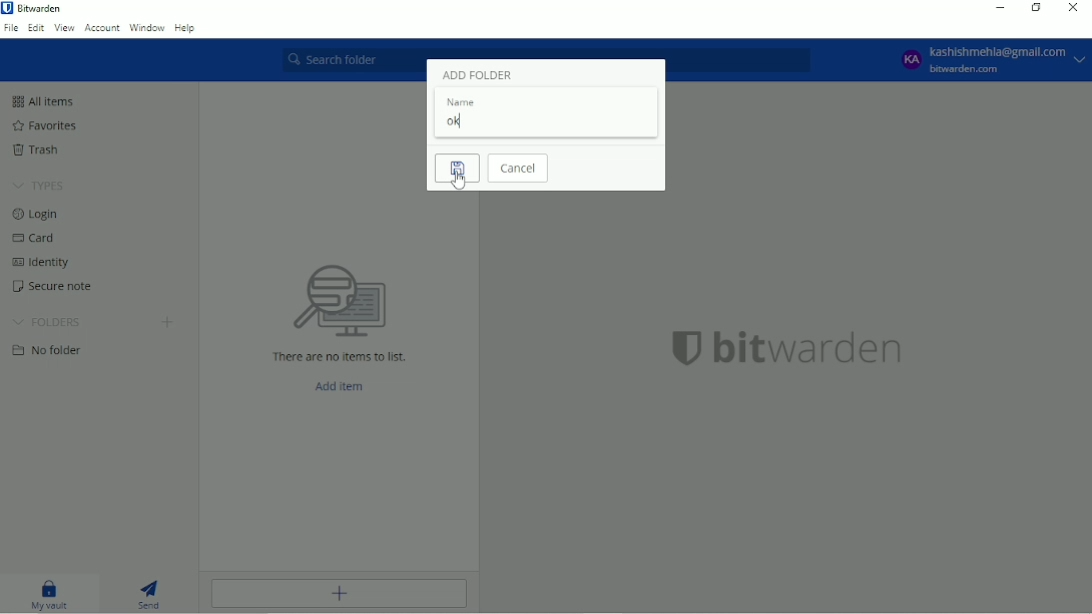  Describe the element at coordinates (339, 355) in the screenshot. I see `There are no items to list.` at that location.